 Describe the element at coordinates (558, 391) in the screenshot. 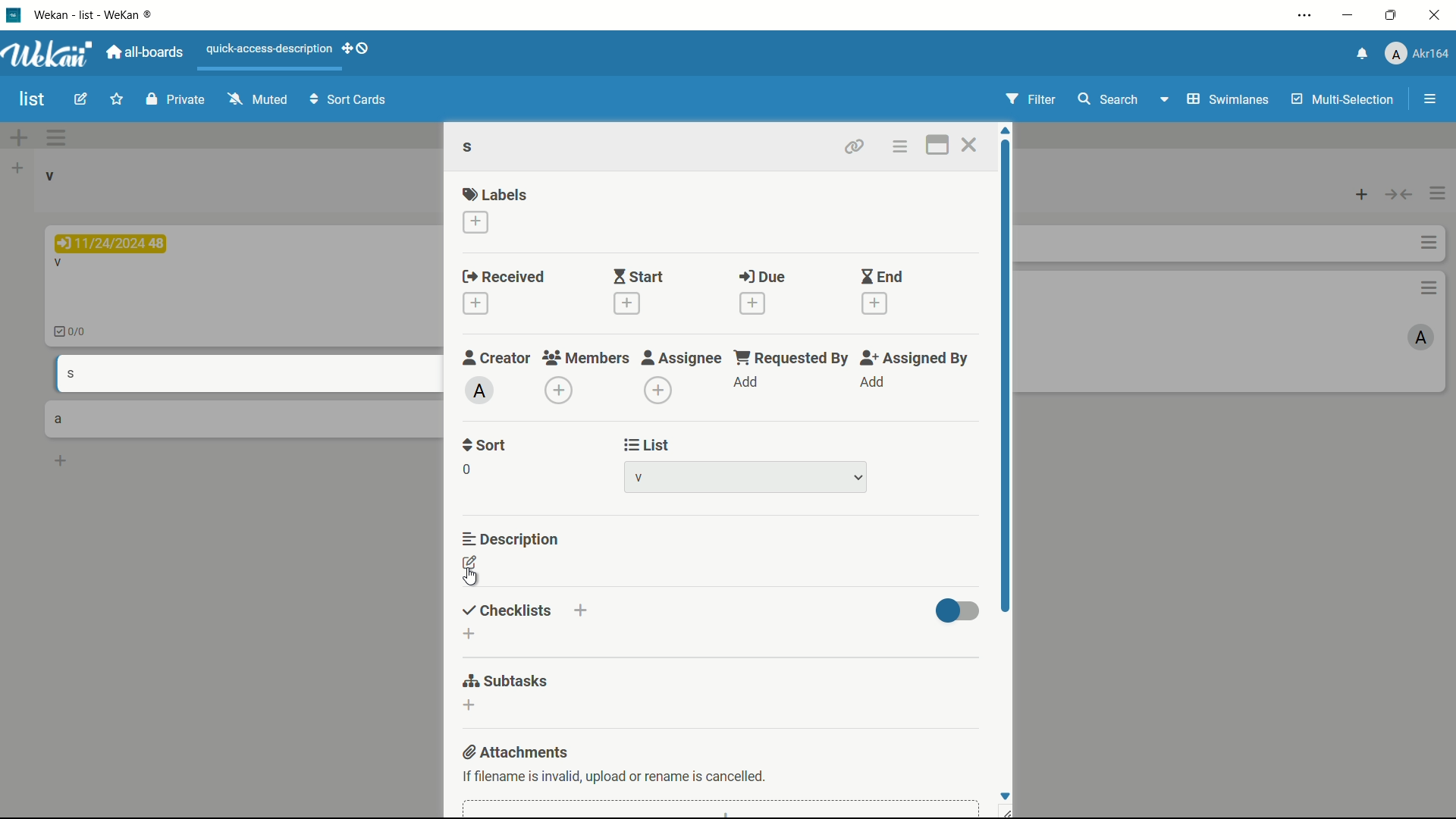

I see `add member` at that location.